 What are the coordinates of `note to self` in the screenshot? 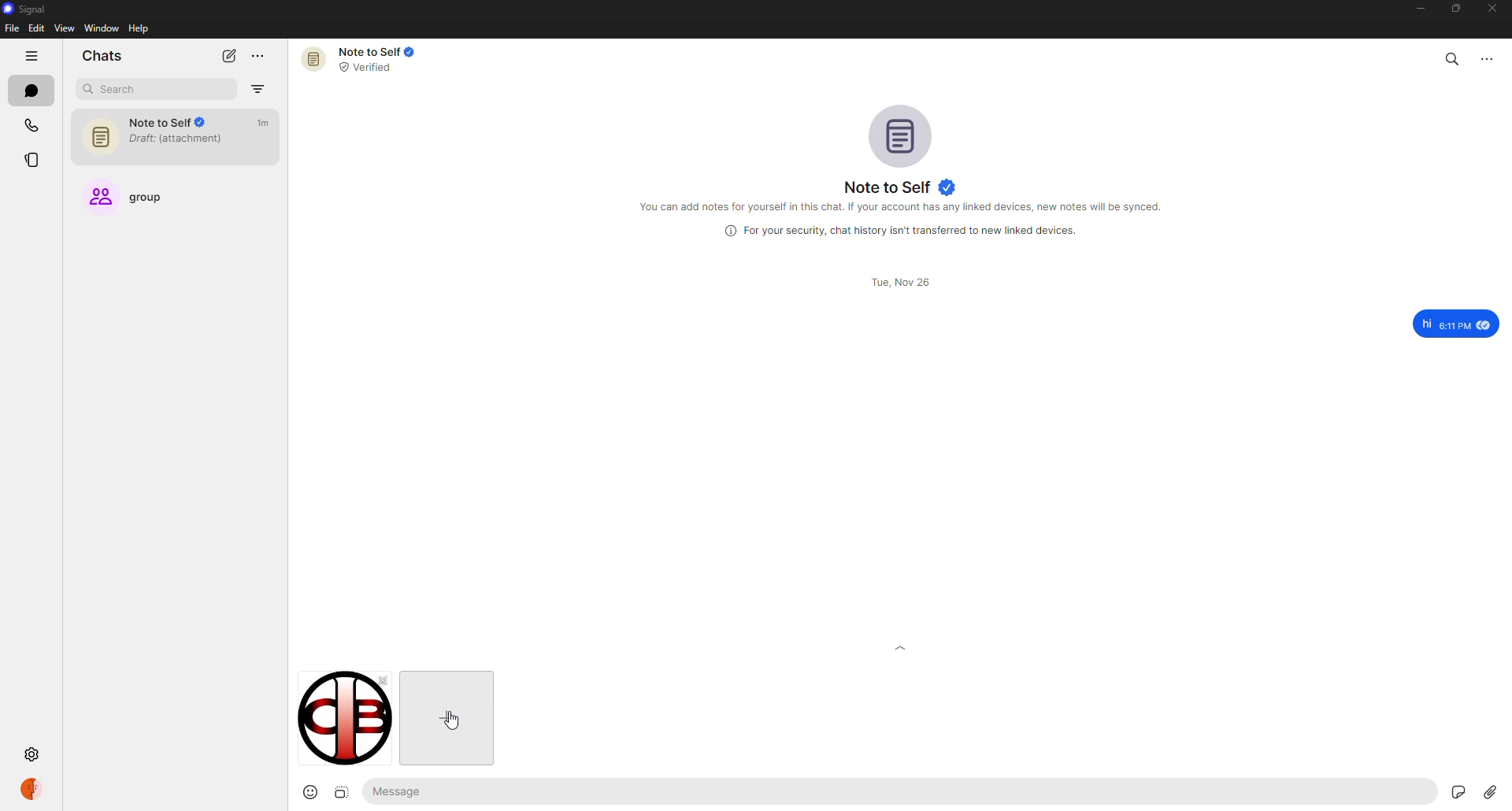 It's located at (172, 133).